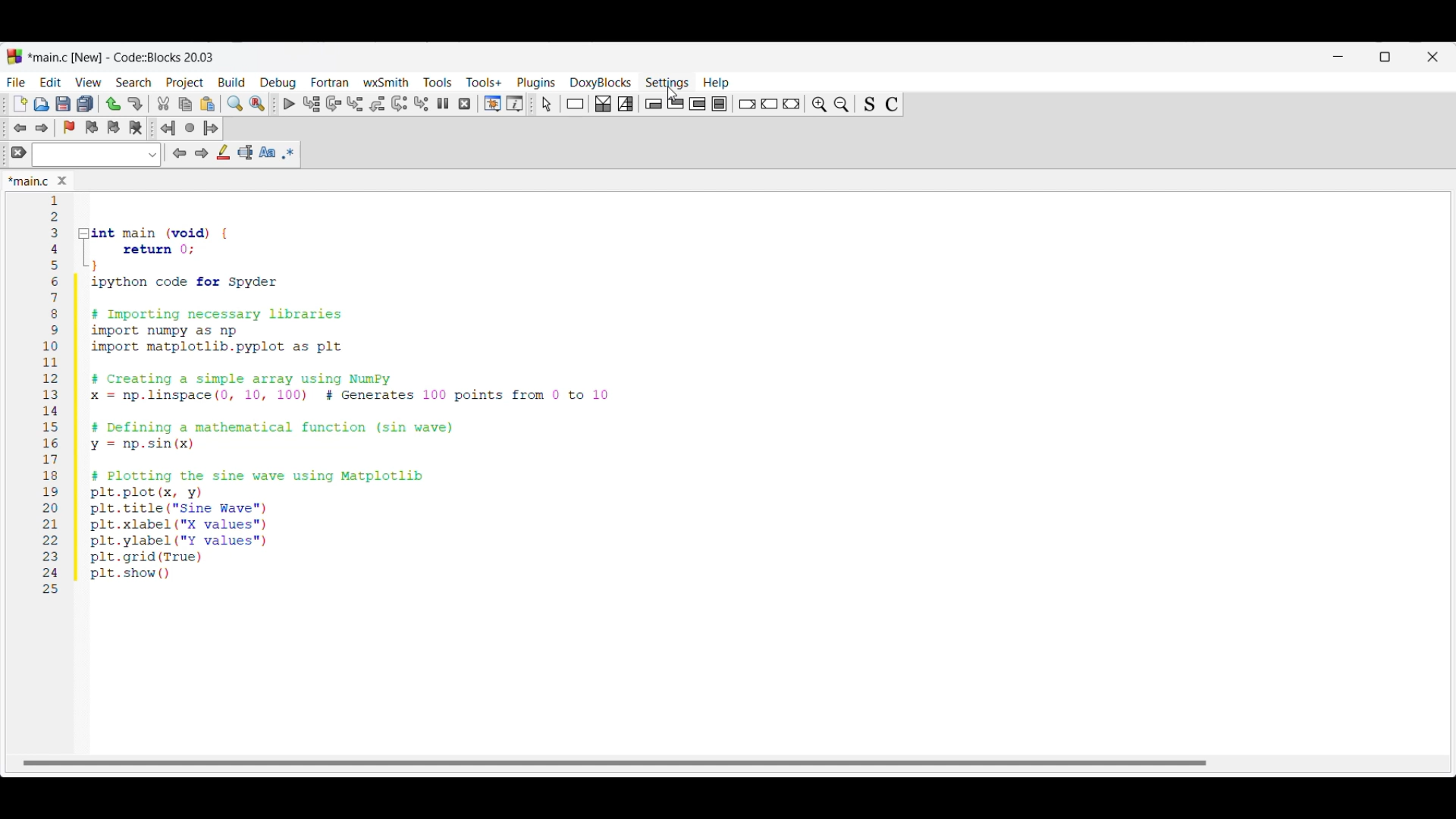 This screenshot has width=1456, height=819. What do you see at coordinates (1338, 57) in the screenshot?
I see `Minimize ` at bounding box center [1338, 57].